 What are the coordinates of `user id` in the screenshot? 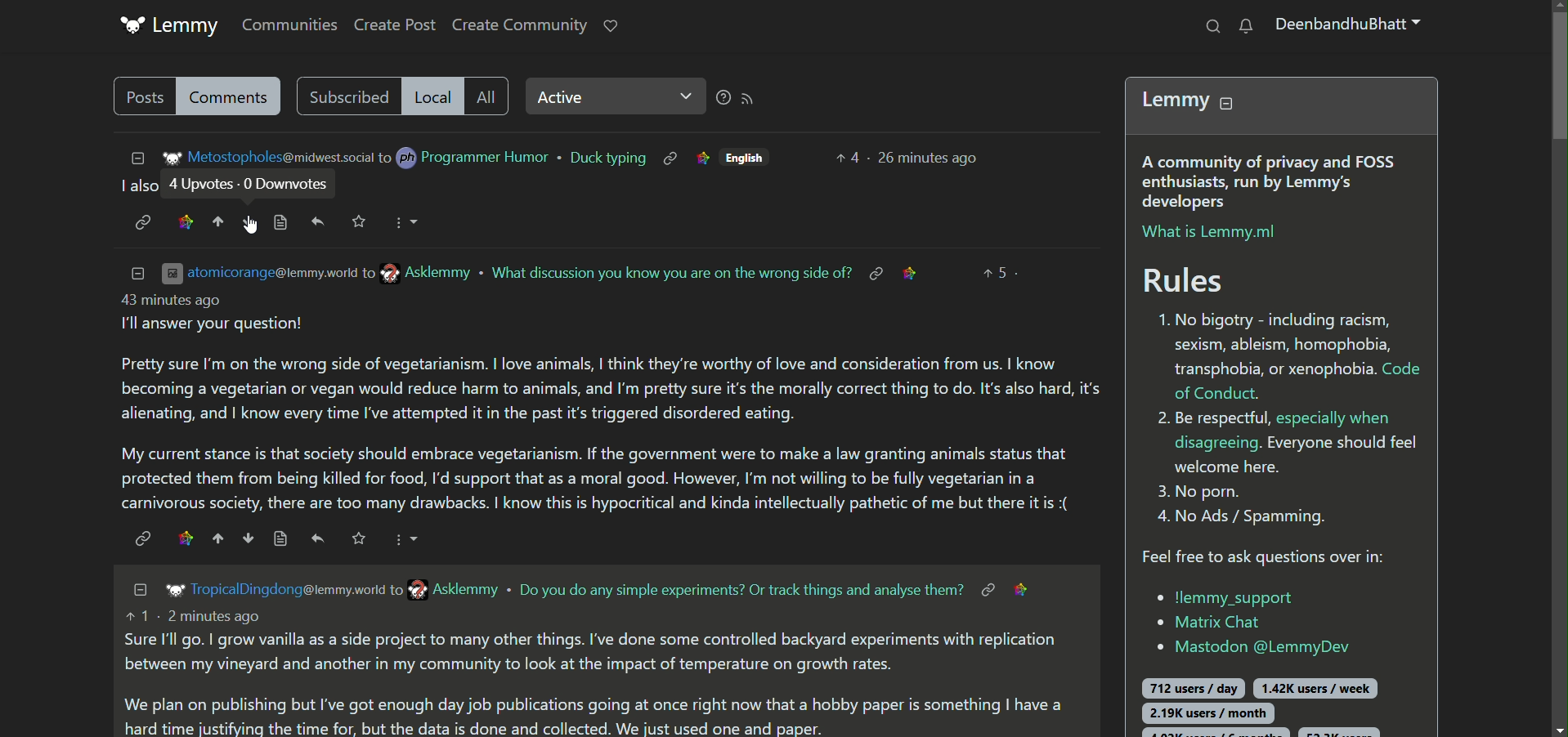 It's located at (289, 589).